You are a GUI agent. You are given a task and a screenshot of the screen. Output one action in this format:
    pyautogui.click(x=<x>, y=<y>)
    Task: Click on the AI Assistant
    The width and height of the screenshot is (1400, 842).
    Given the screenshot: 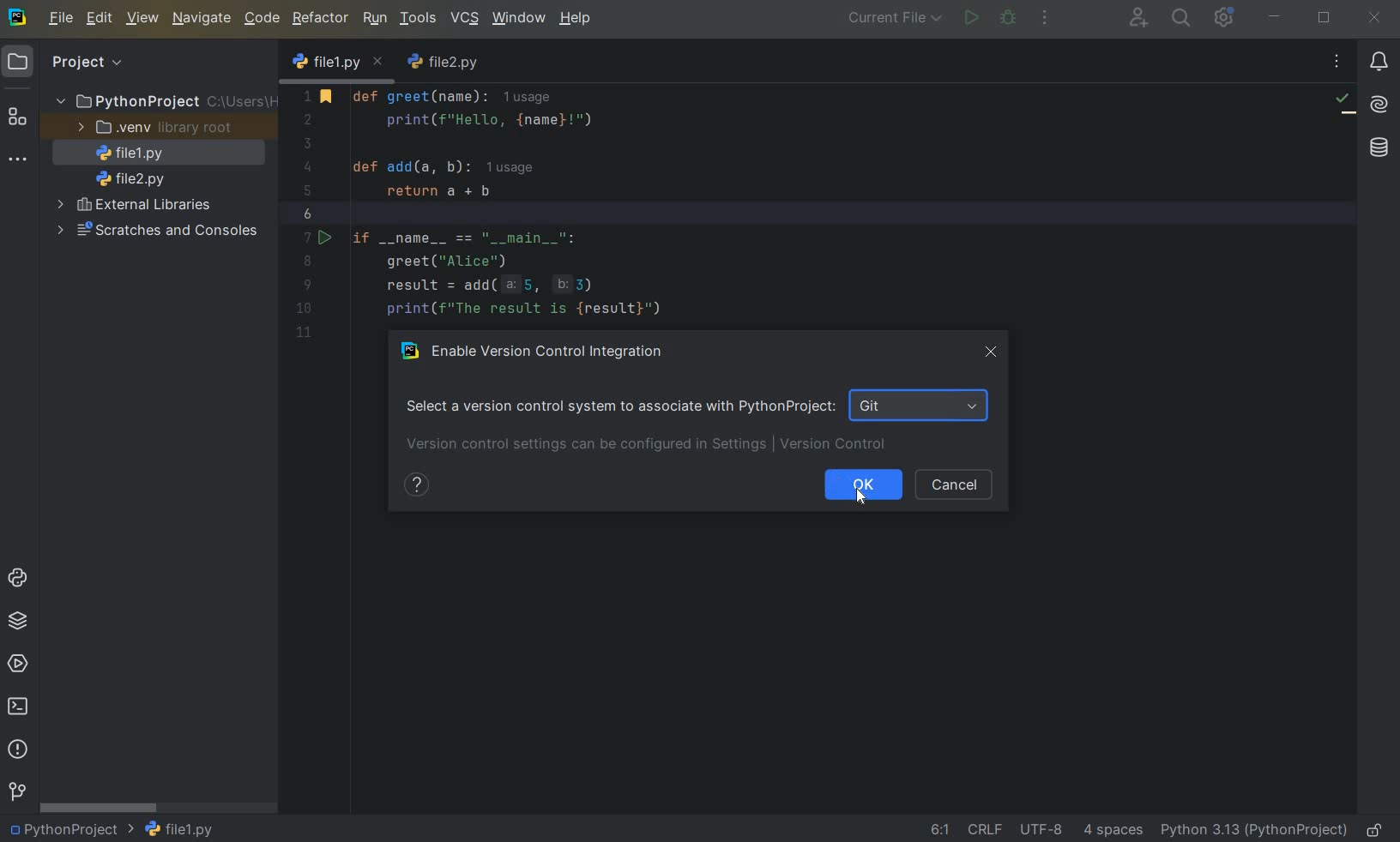 What is the action you would take?
    pyautogui.click(x=1380, y=106)
    